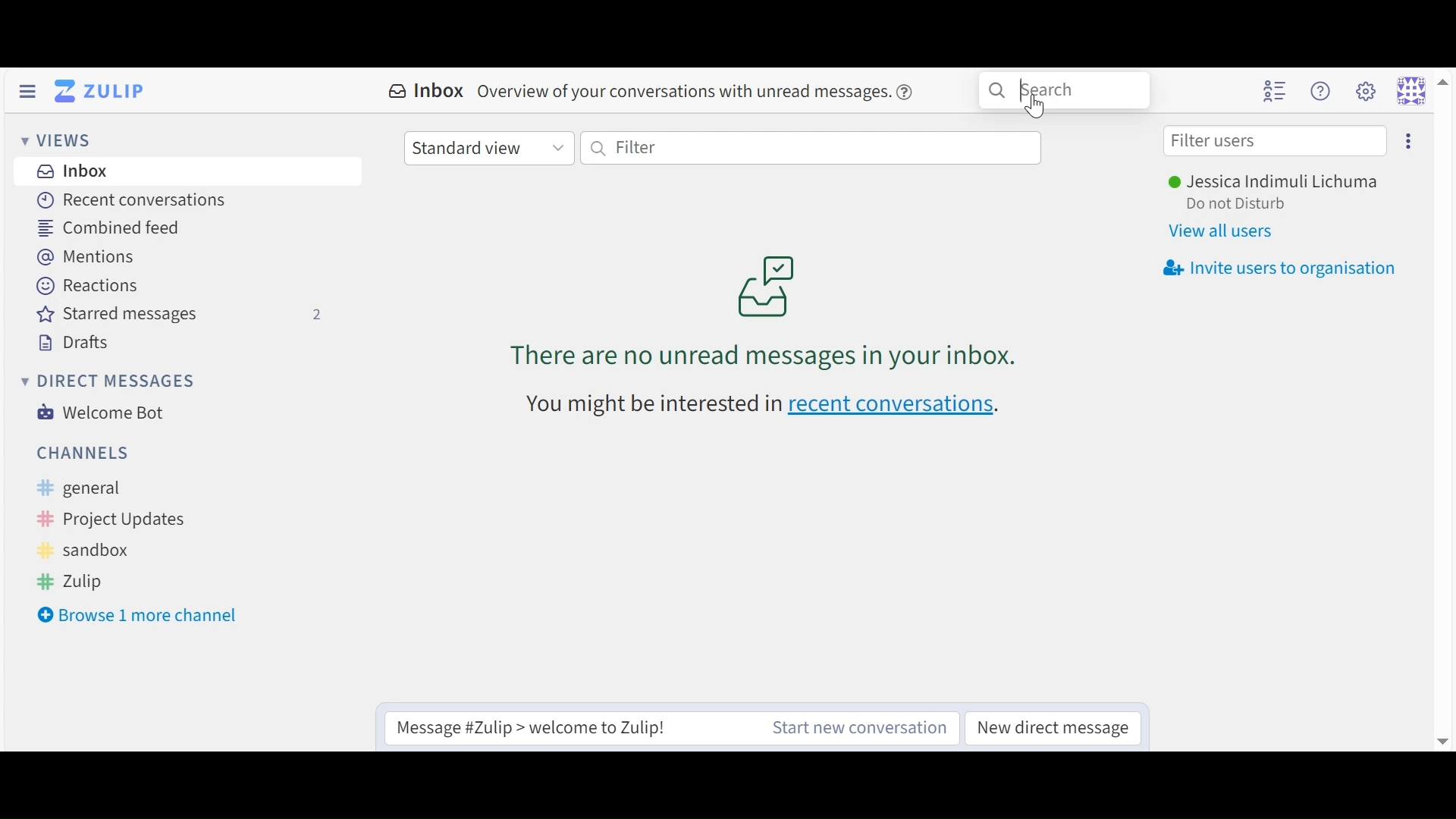 This screenshot has height=819, width=1456. I want to click on Personal menu, so click(1411, 89).